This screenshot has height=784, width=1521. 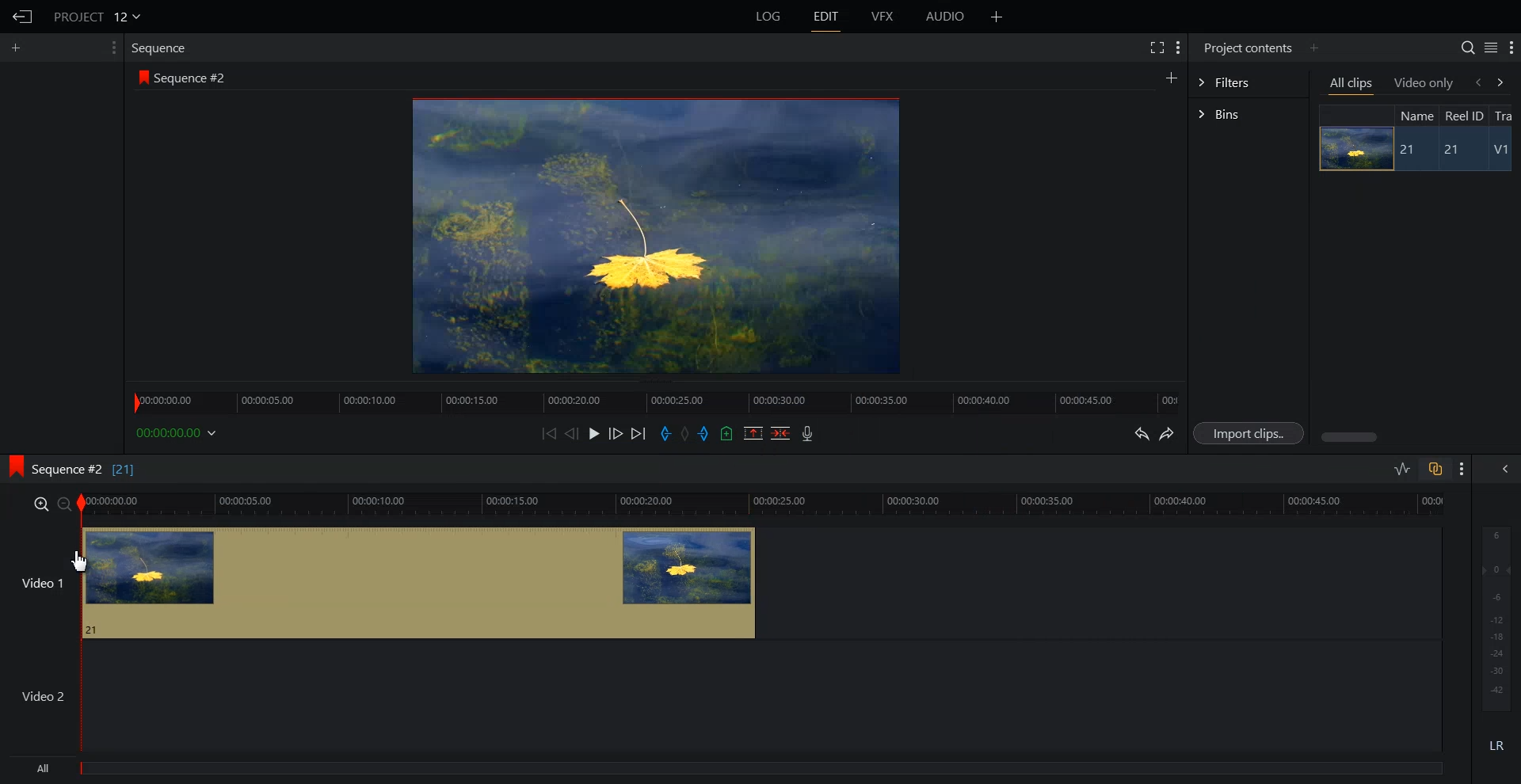 I want to click on Redo, so click(x=1168, y=434).